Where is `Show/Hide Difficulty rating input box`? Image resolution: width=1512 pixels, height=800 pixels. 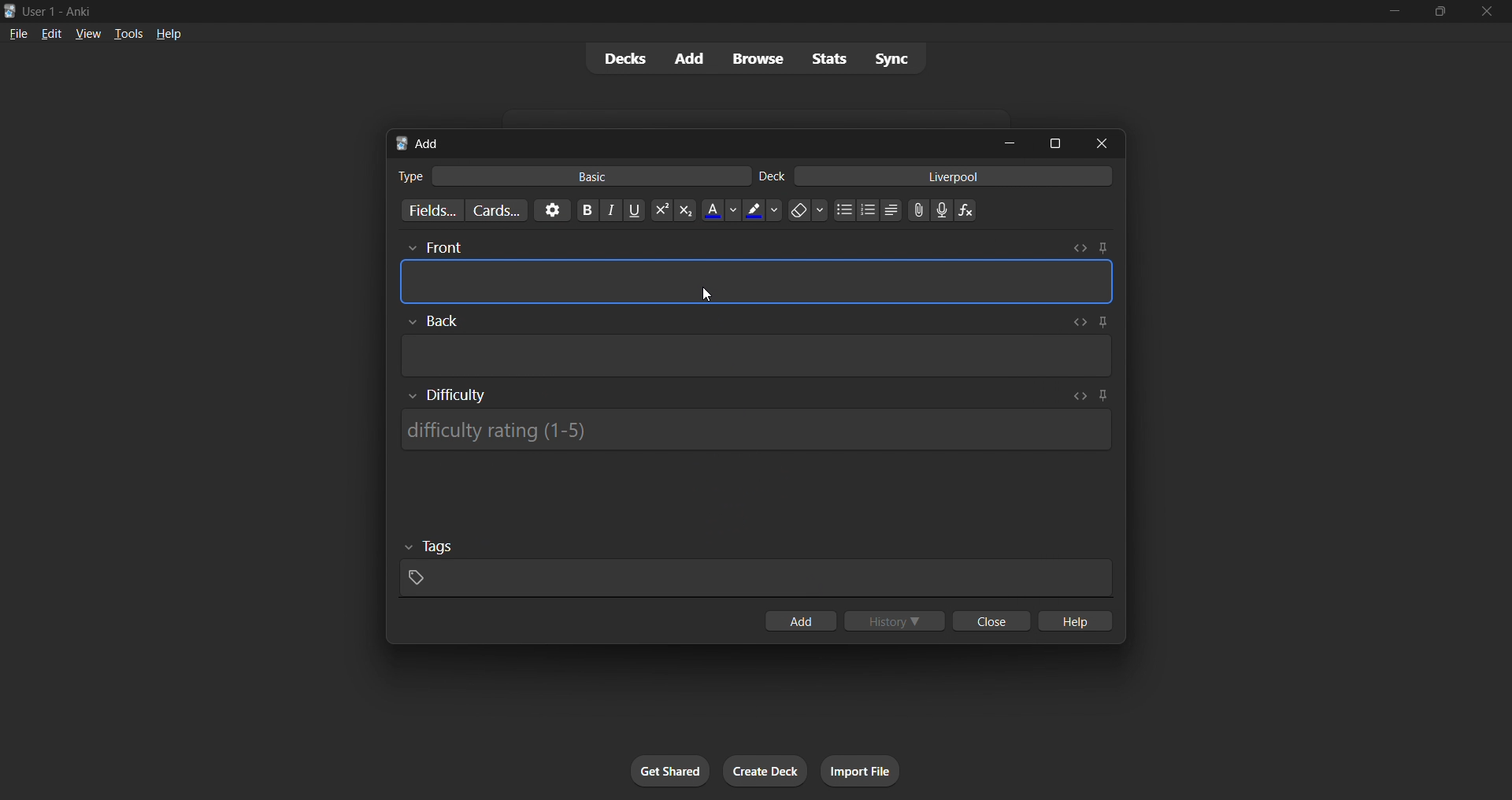
Show/Hide Difficulty rating input box is located at coordinates (447, 395).